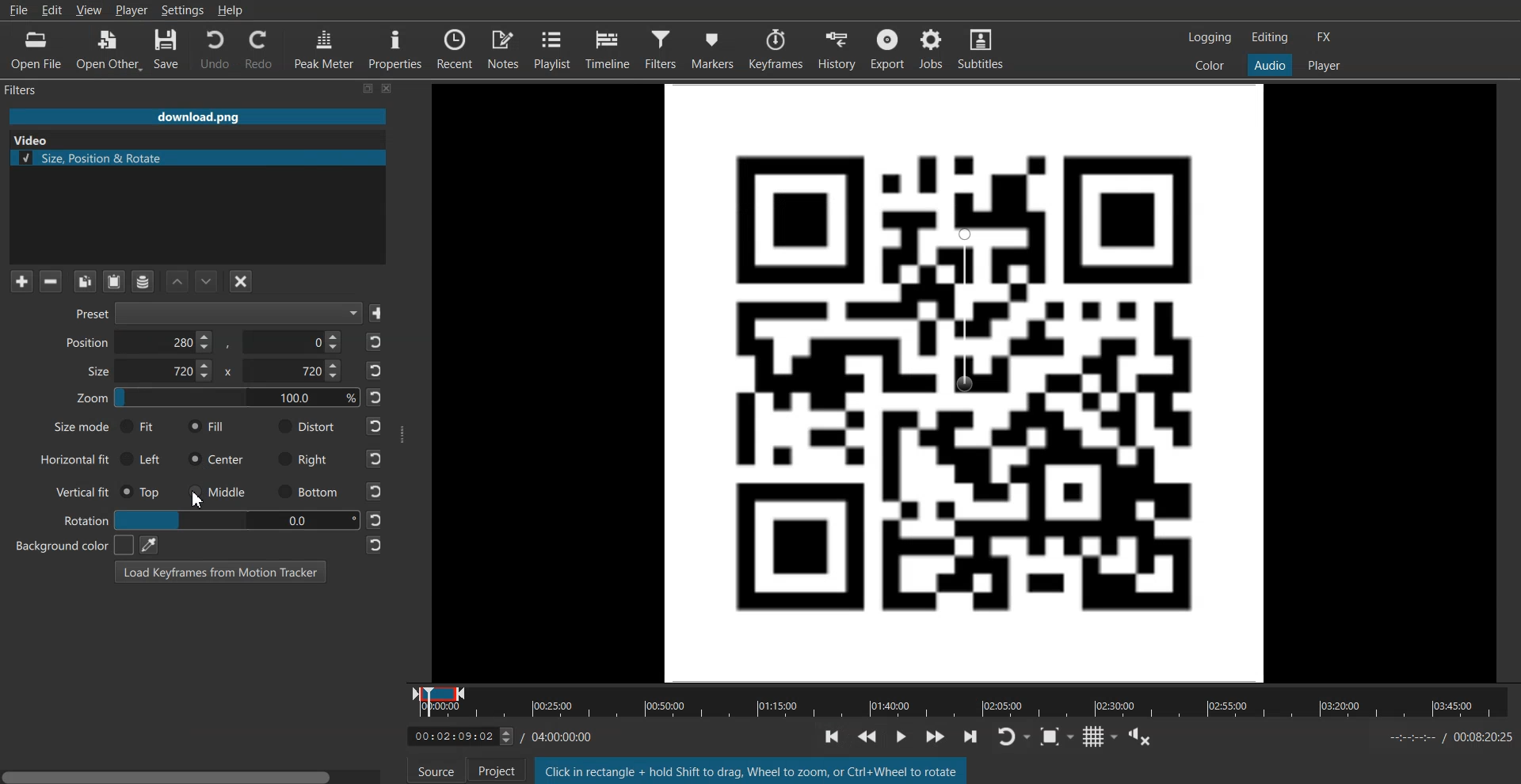  I want to click on Keyframes, so click(777, 48).